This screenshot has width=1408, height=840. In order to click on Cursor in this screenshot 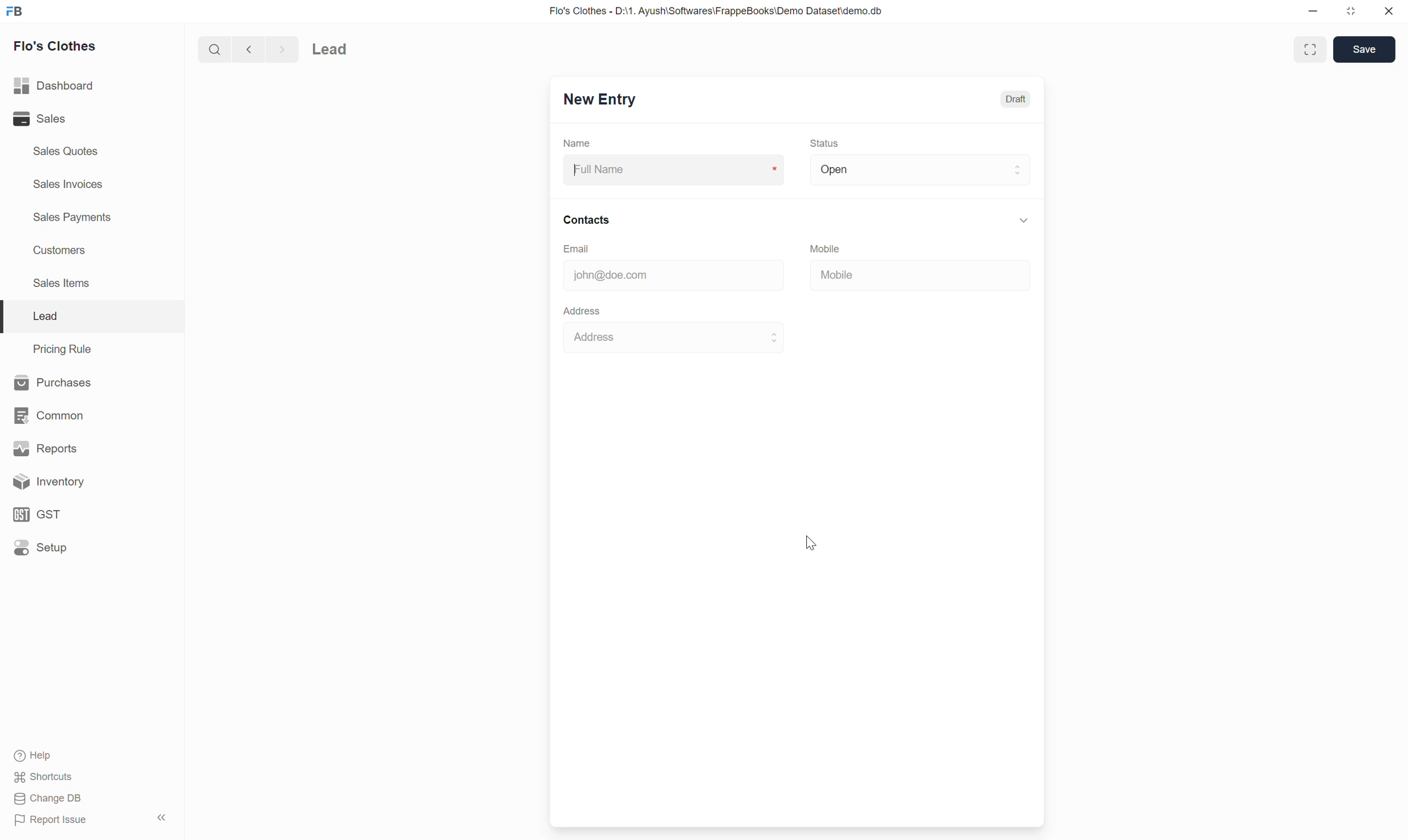, I will do `click(811, 544)`.